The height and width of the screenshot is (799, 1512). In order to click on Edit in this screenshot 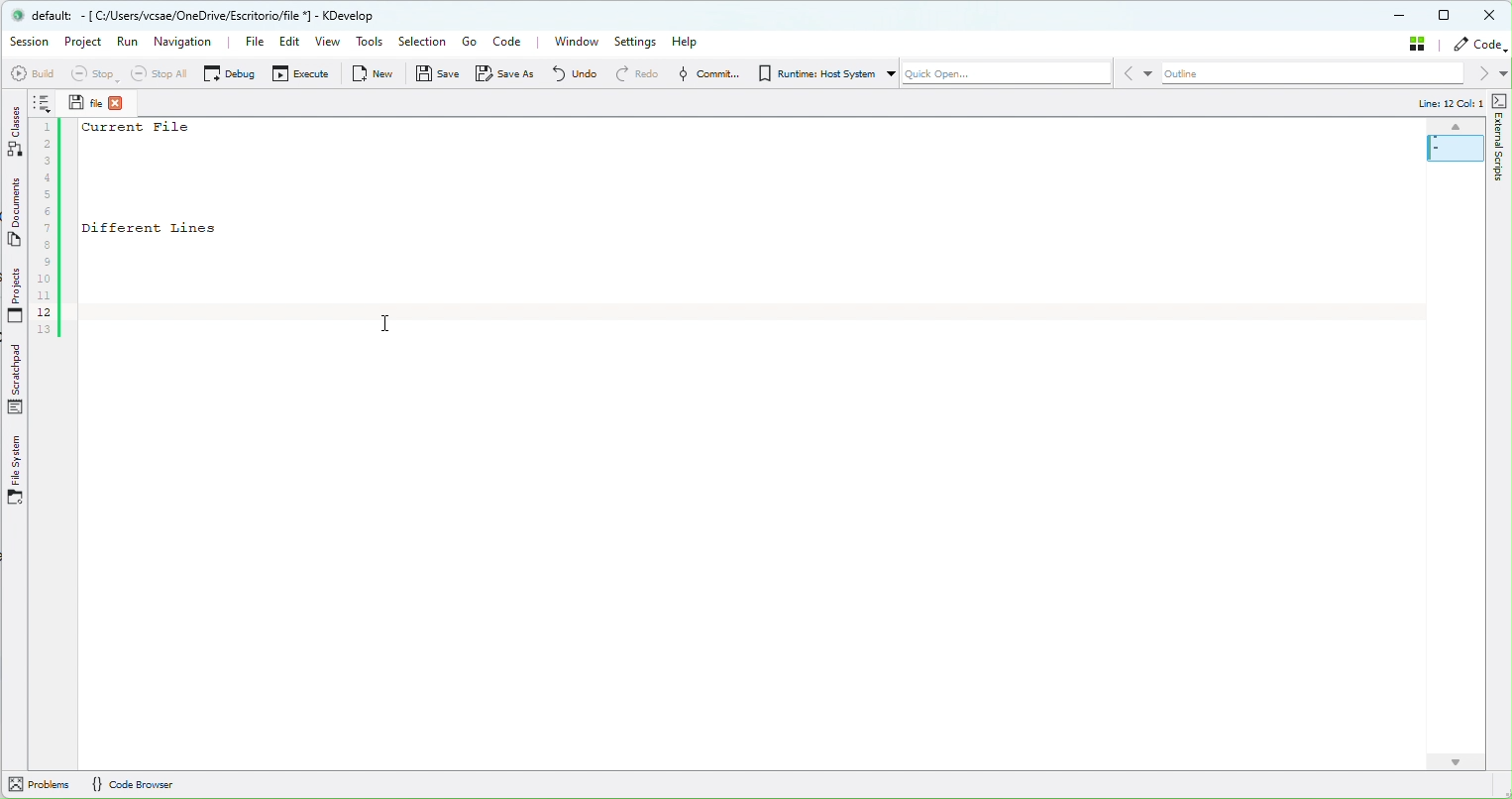, I will do `click(289, 41)`.